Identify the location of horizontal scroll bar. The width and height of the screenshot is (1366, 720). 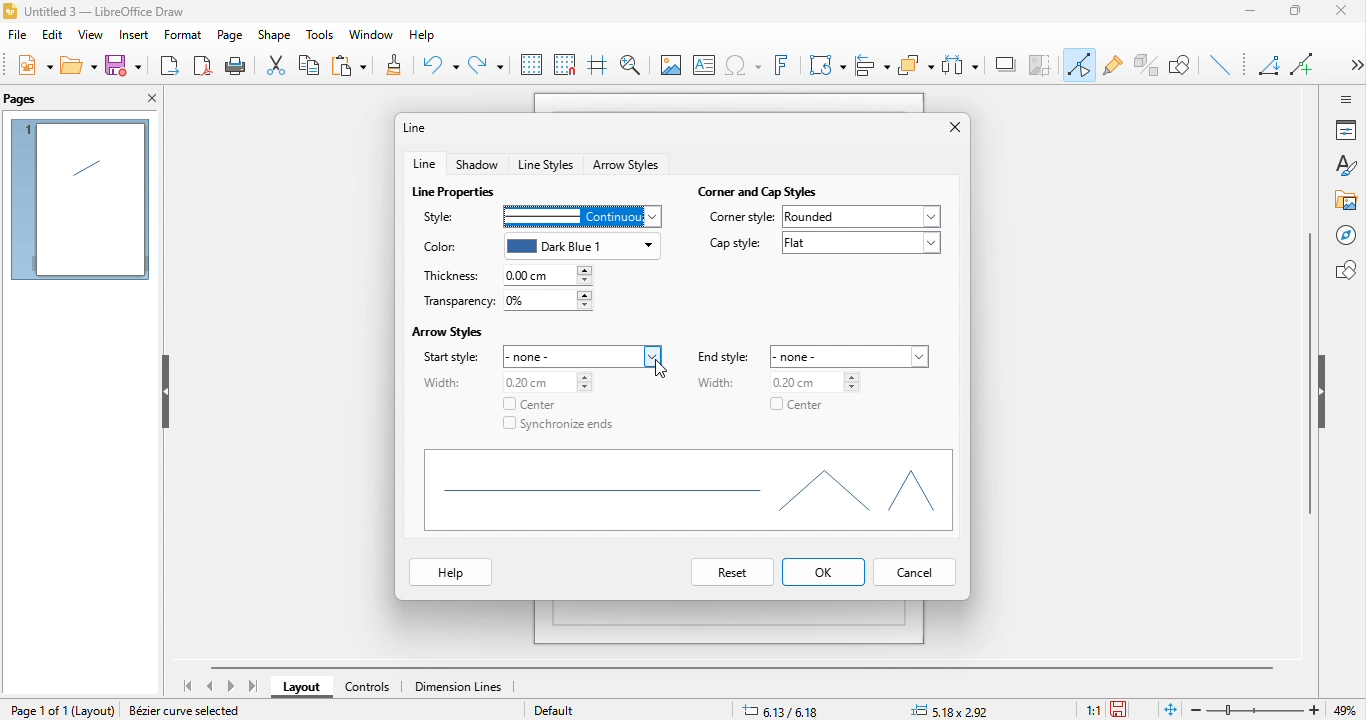
(748, 665).